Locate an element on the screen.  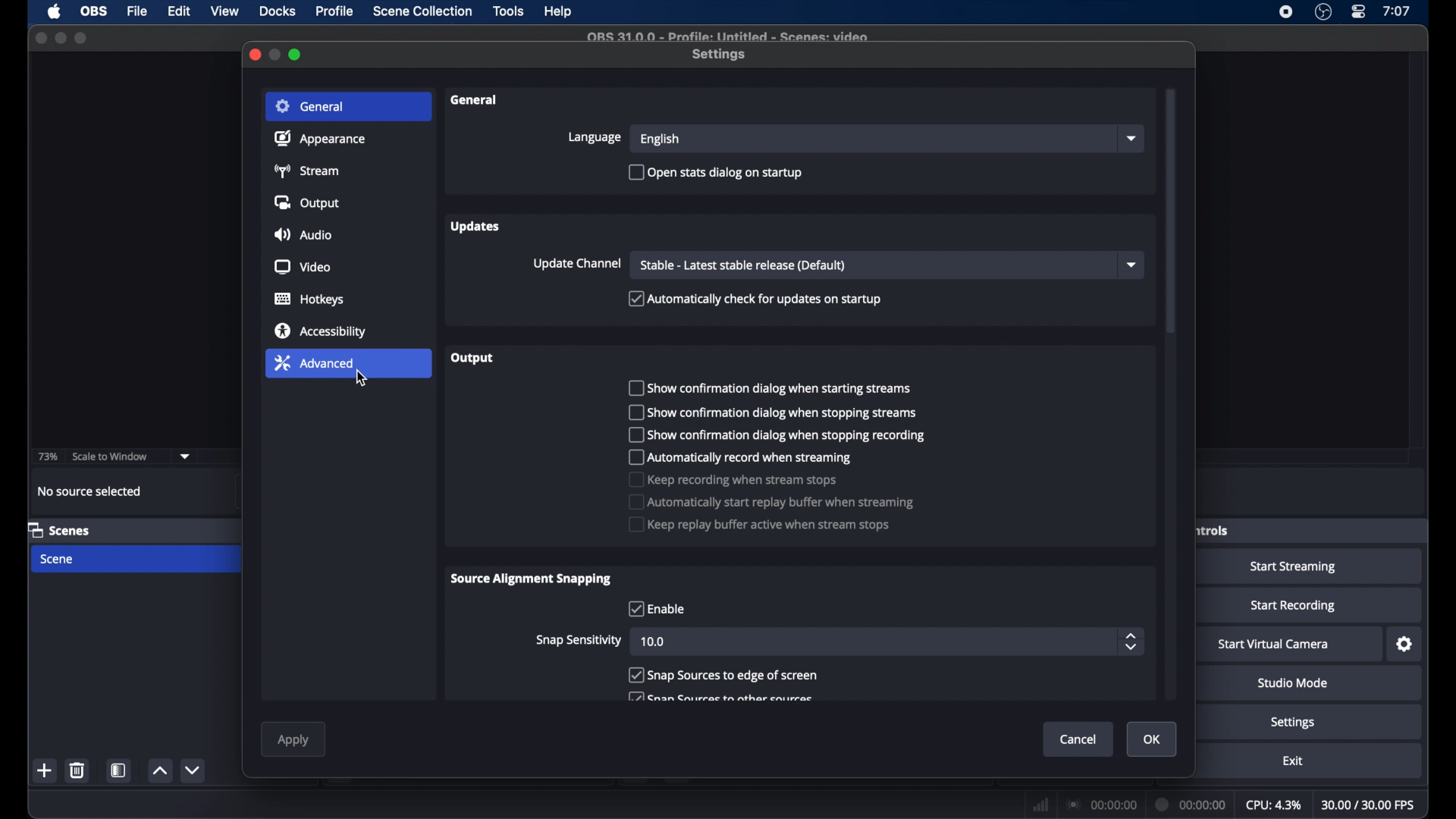
settings is located at coordinates (1405, 645).